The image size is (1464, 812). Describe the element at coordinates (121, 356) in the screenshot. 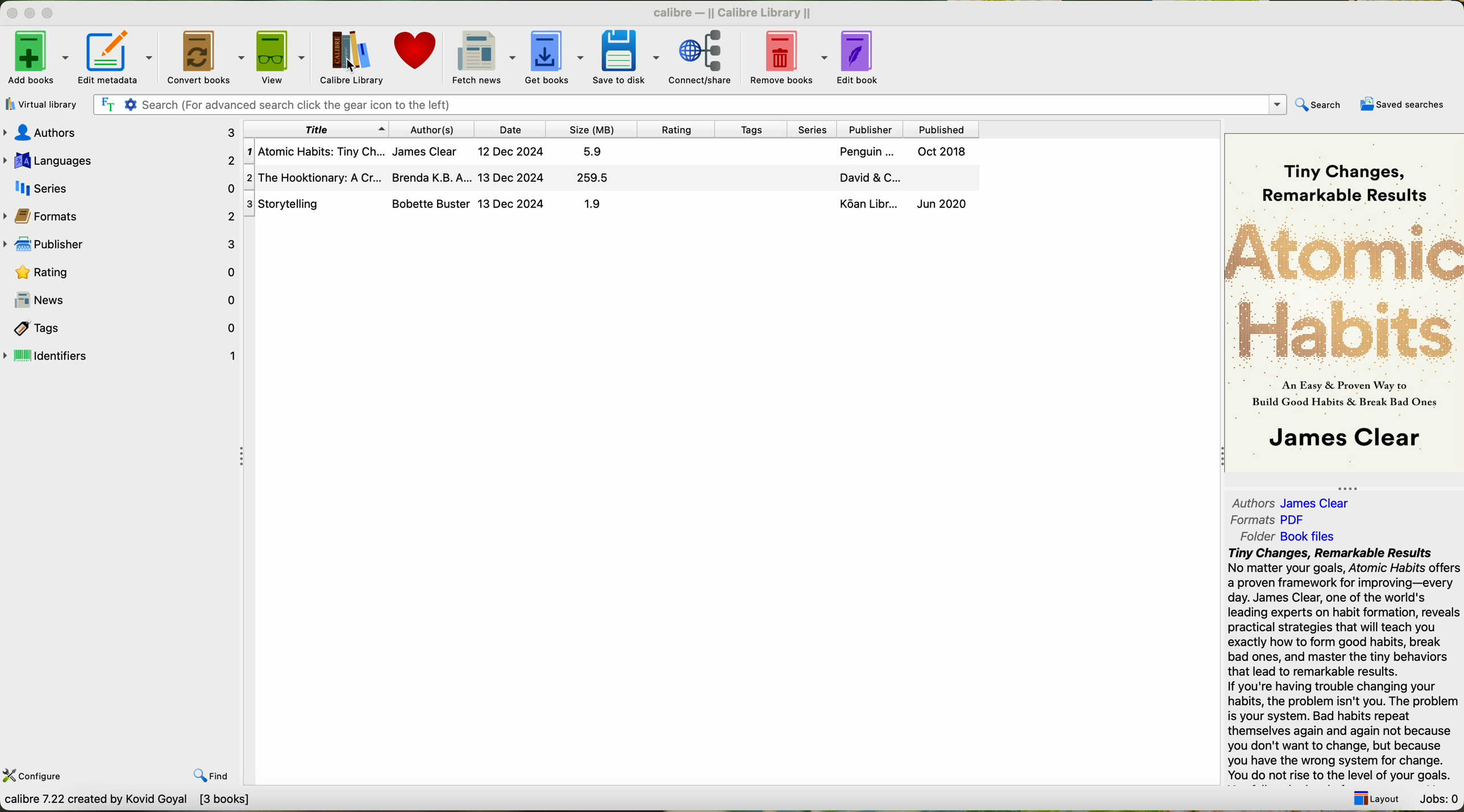

I see `identifiers` at that location.